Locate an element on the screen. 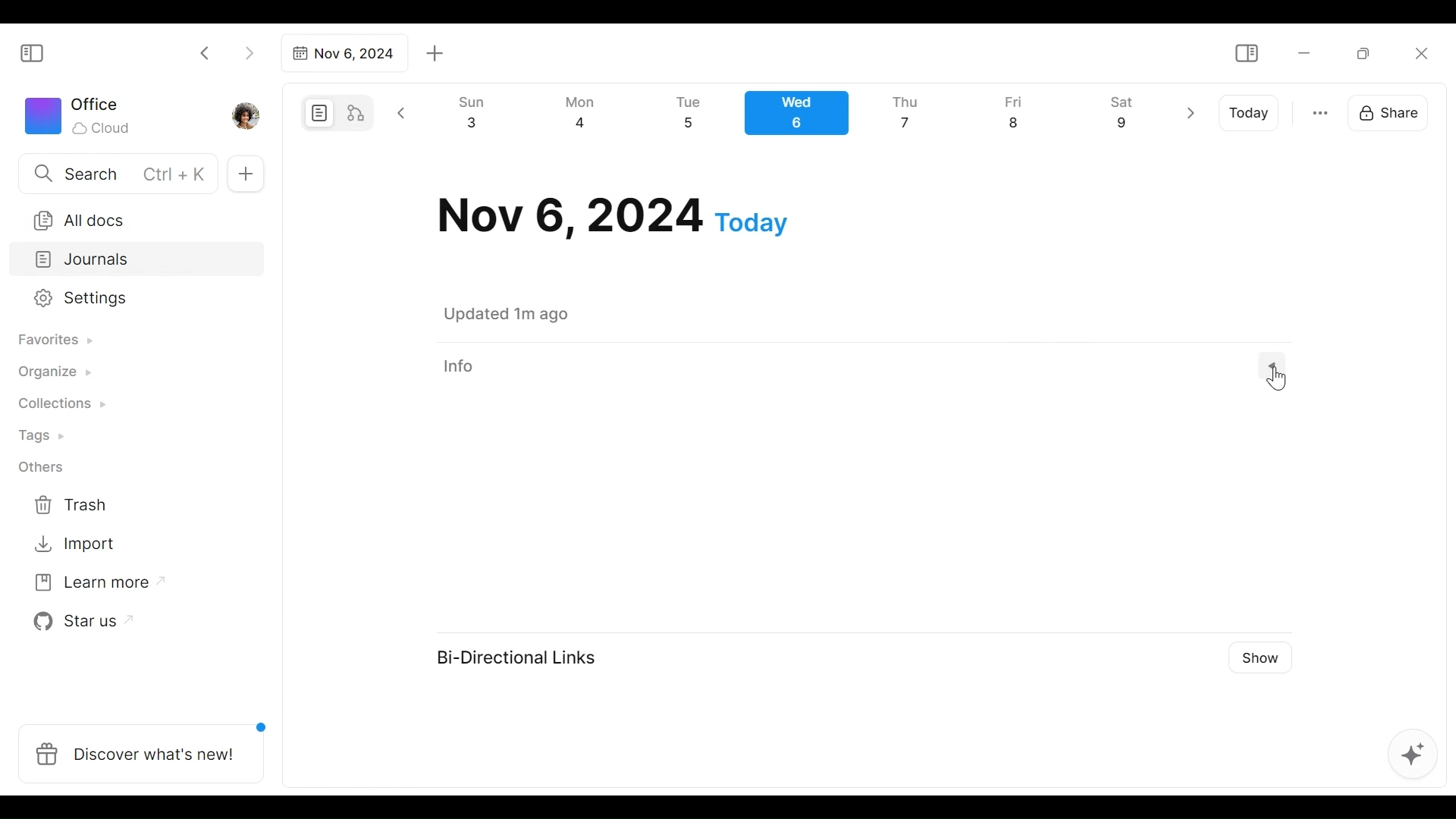 The image size is (1456, 819). View Information is located at coordinates (858, 366).